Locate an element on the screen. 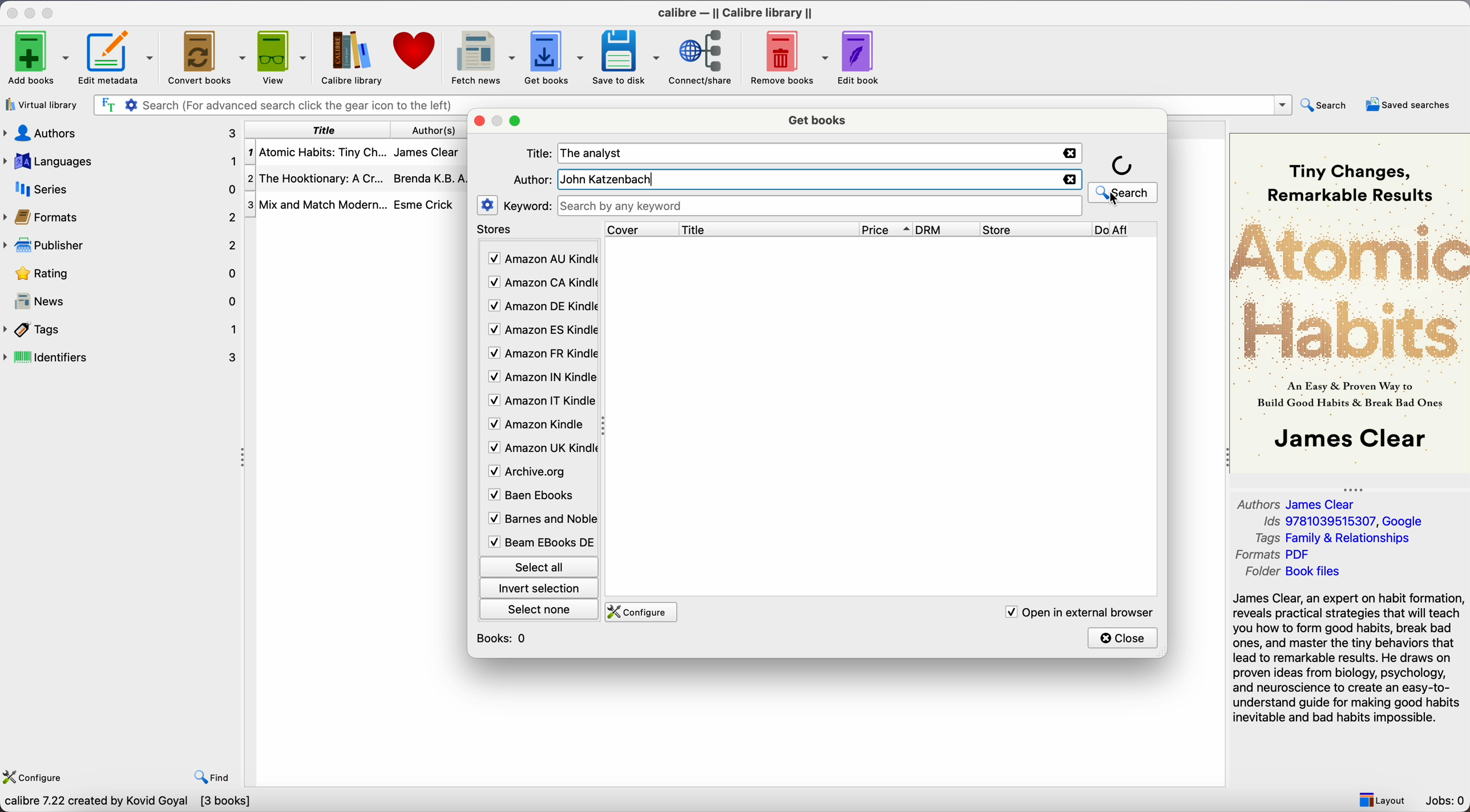 The height and width of the screenshot is (812, 1470). save to disk is located at coordinates (625, 56).